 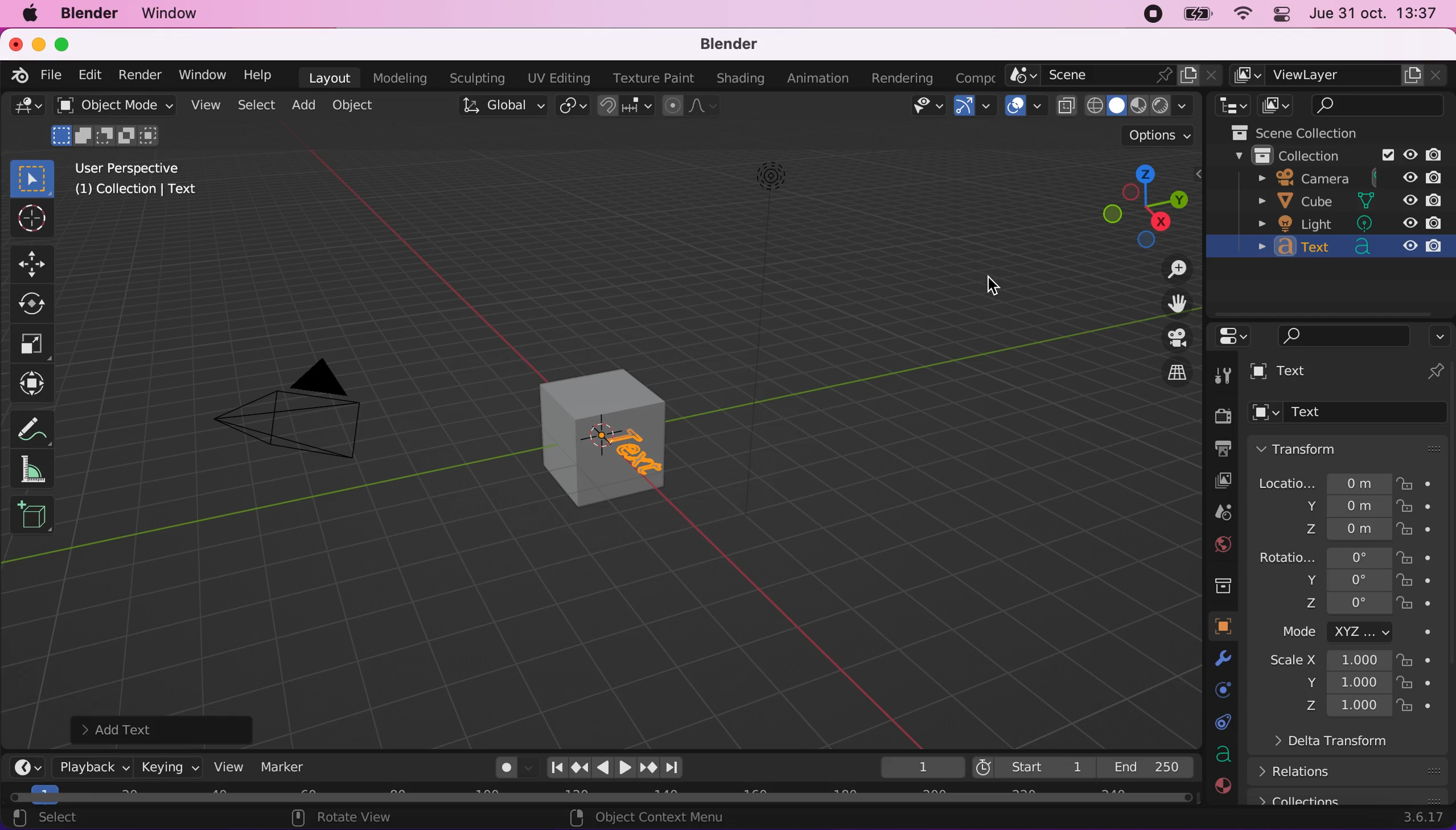 I want to click on constraints, so click(x=1221, y=721).